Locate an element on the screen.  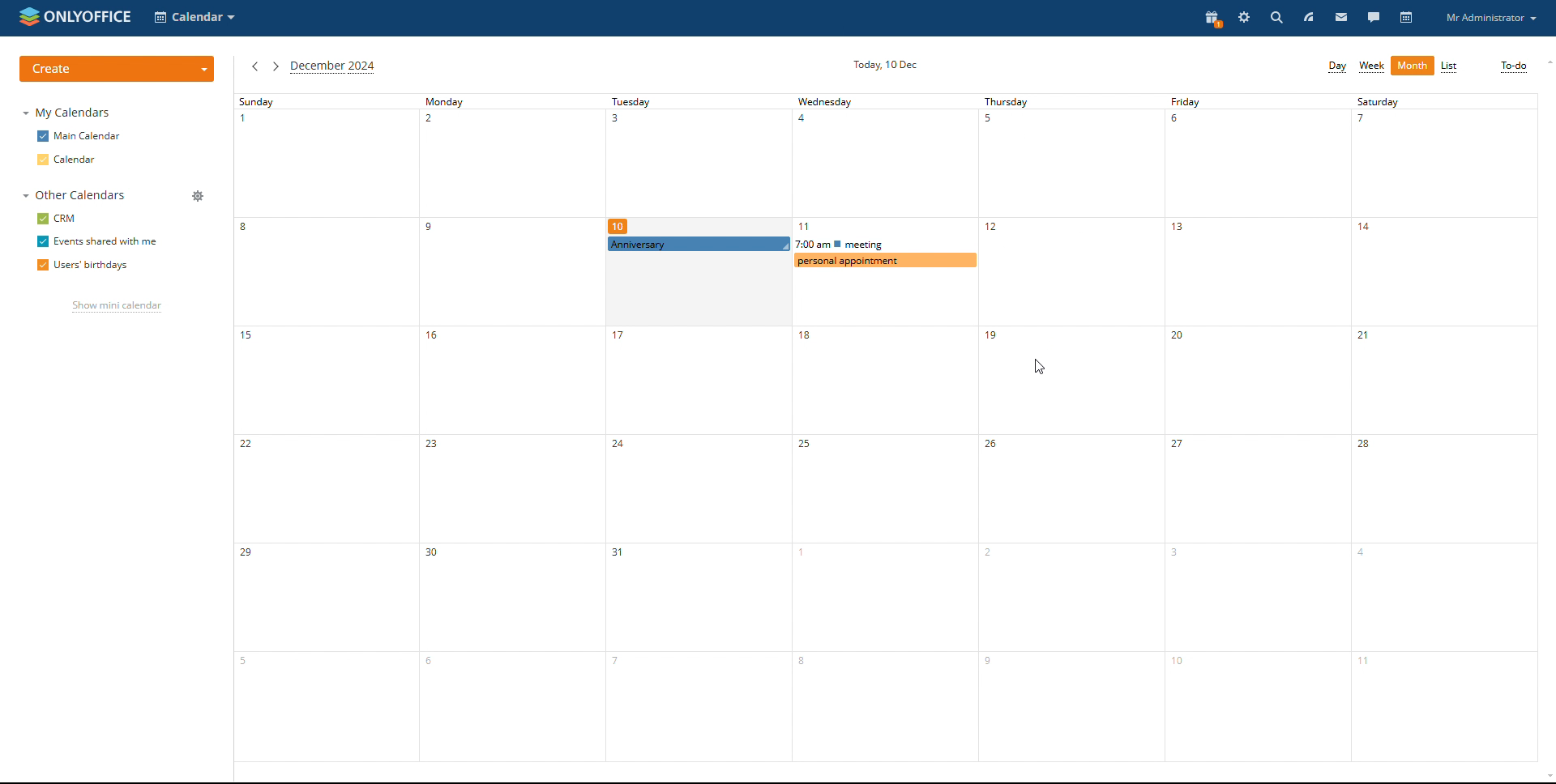
day view is located at coordinates (1336, 67).